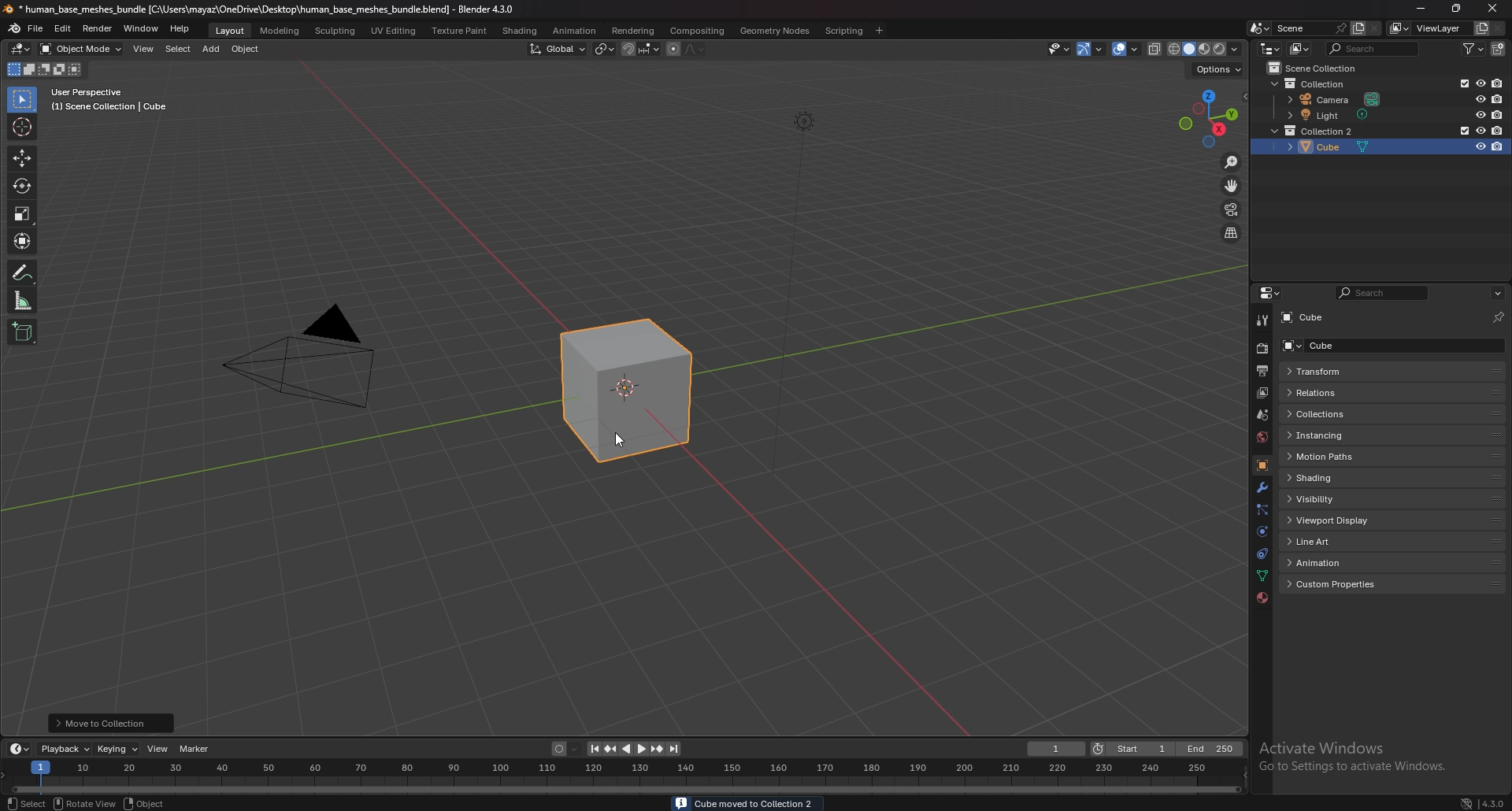 The width and height of the screenshot is (1512, 811). I want to click on options, so click(1497, 294).